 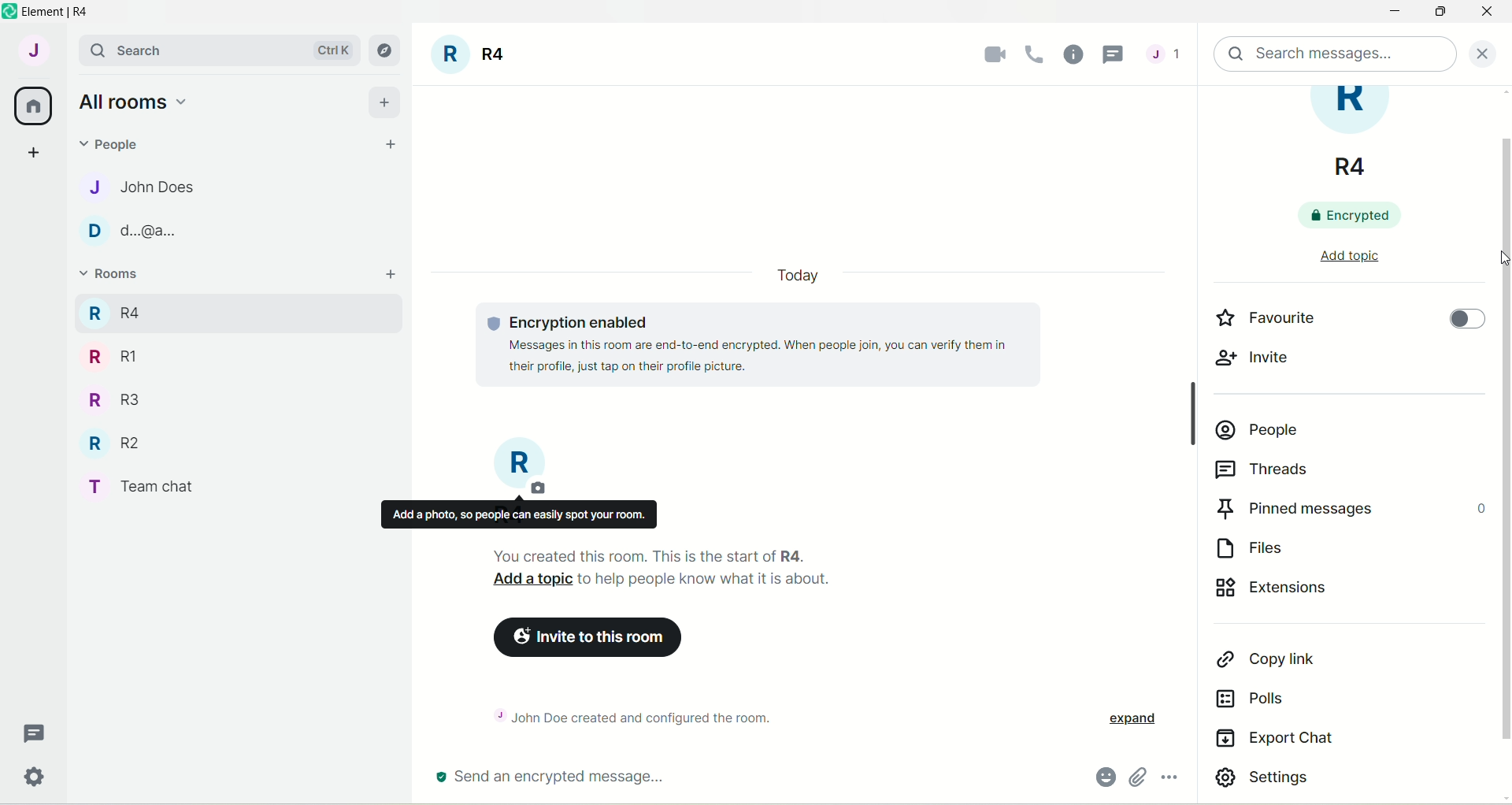 What do you see at coordinates (109, 440) in the screenshot?
I see `R R2` at bounding box center [109, 440].